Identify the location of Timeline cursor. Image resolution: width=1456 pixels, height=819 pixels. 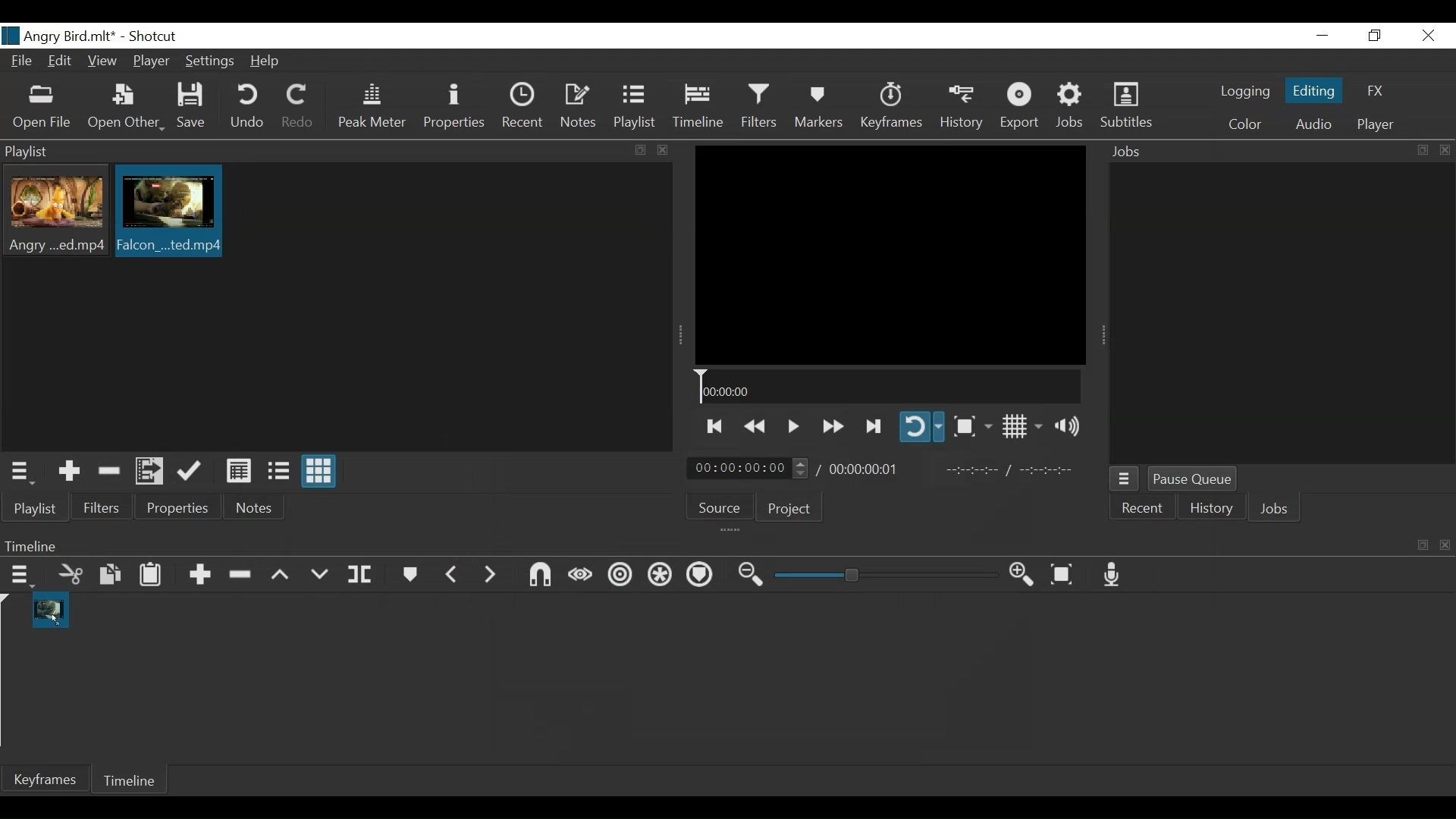
(9, 673).